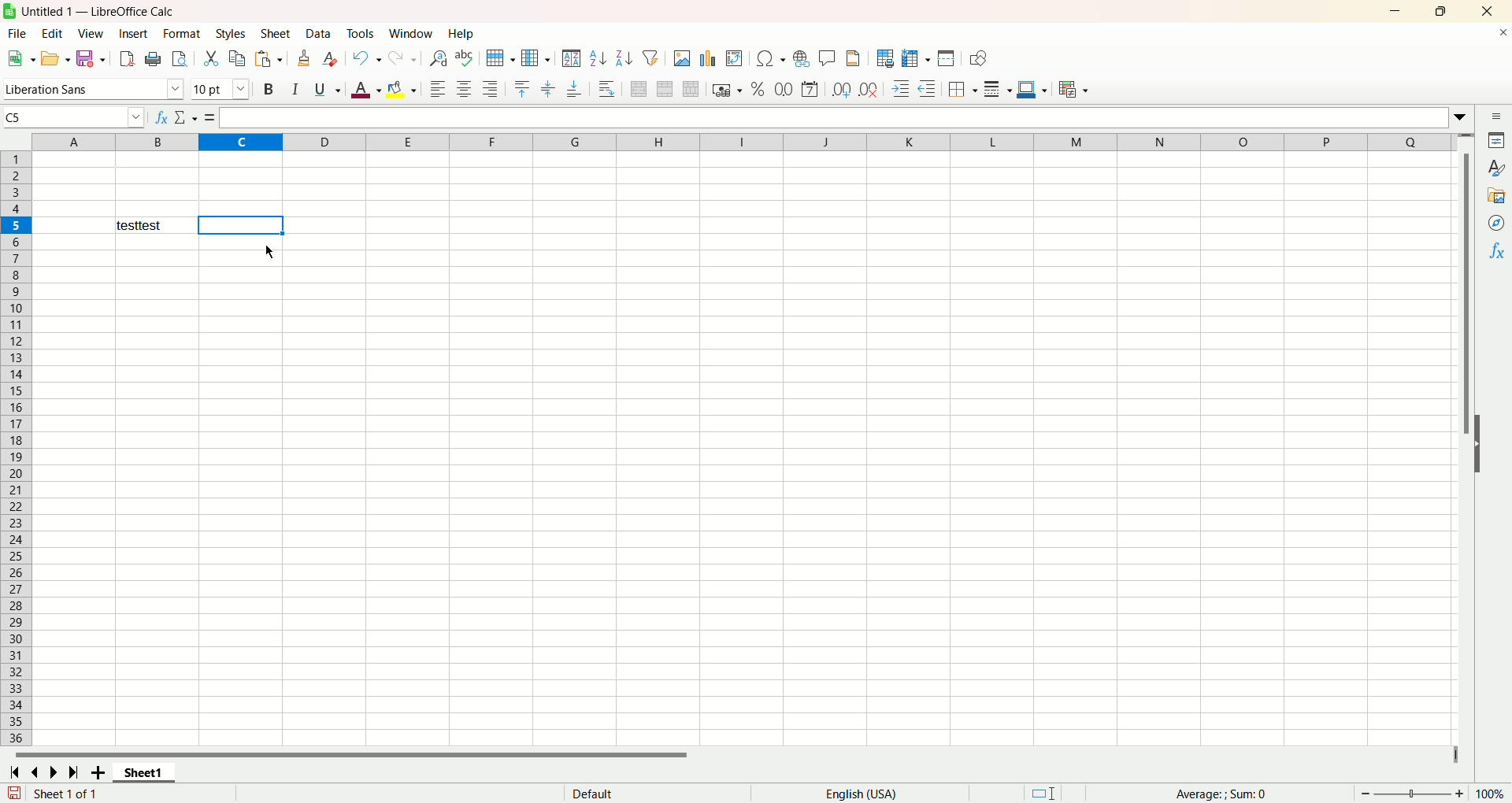 This screenshot has width=1512, height=803. I want to click on add decimal place, so click(841, 90).